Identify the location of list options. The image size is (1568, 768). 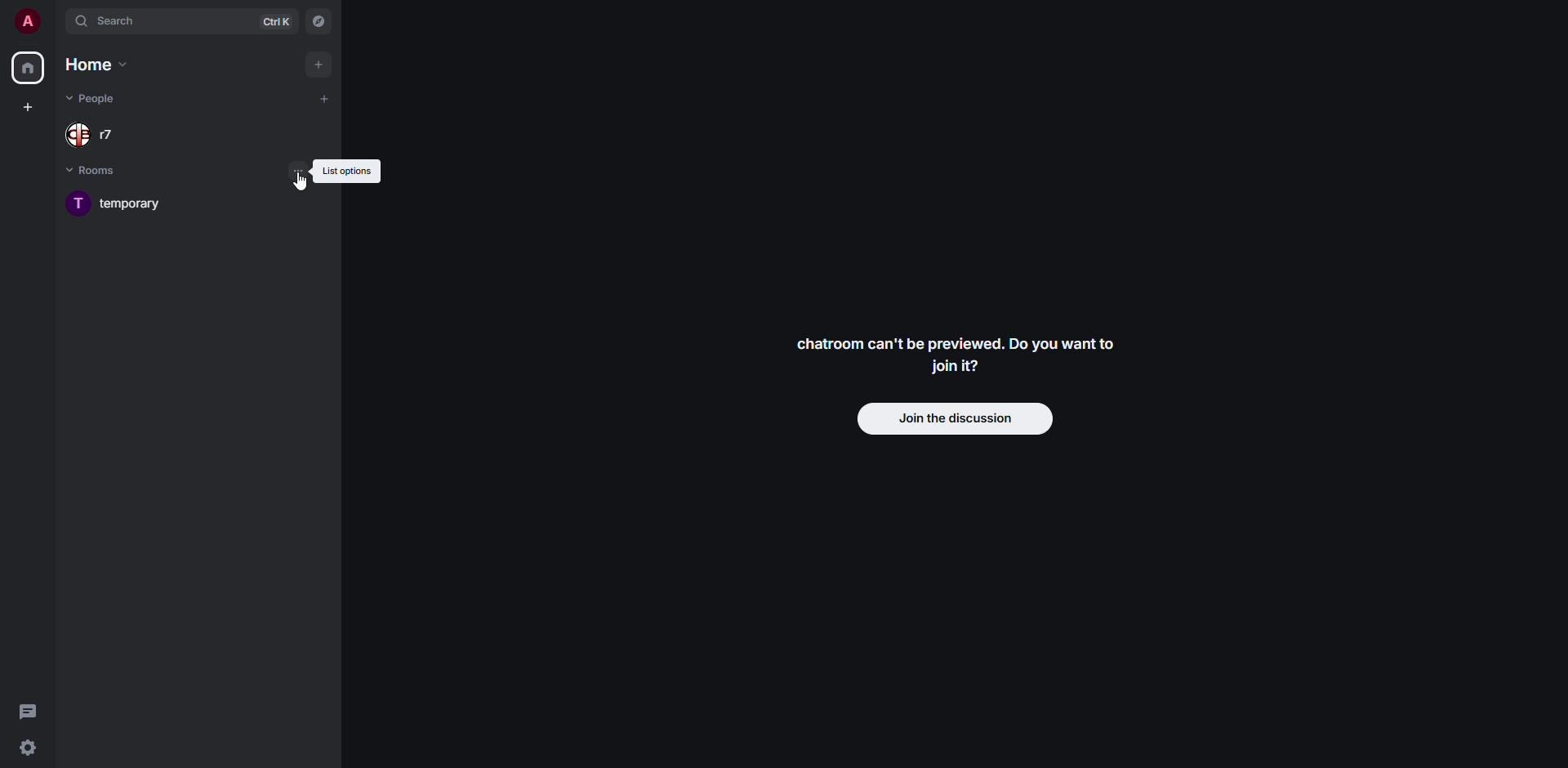
(301, 172).